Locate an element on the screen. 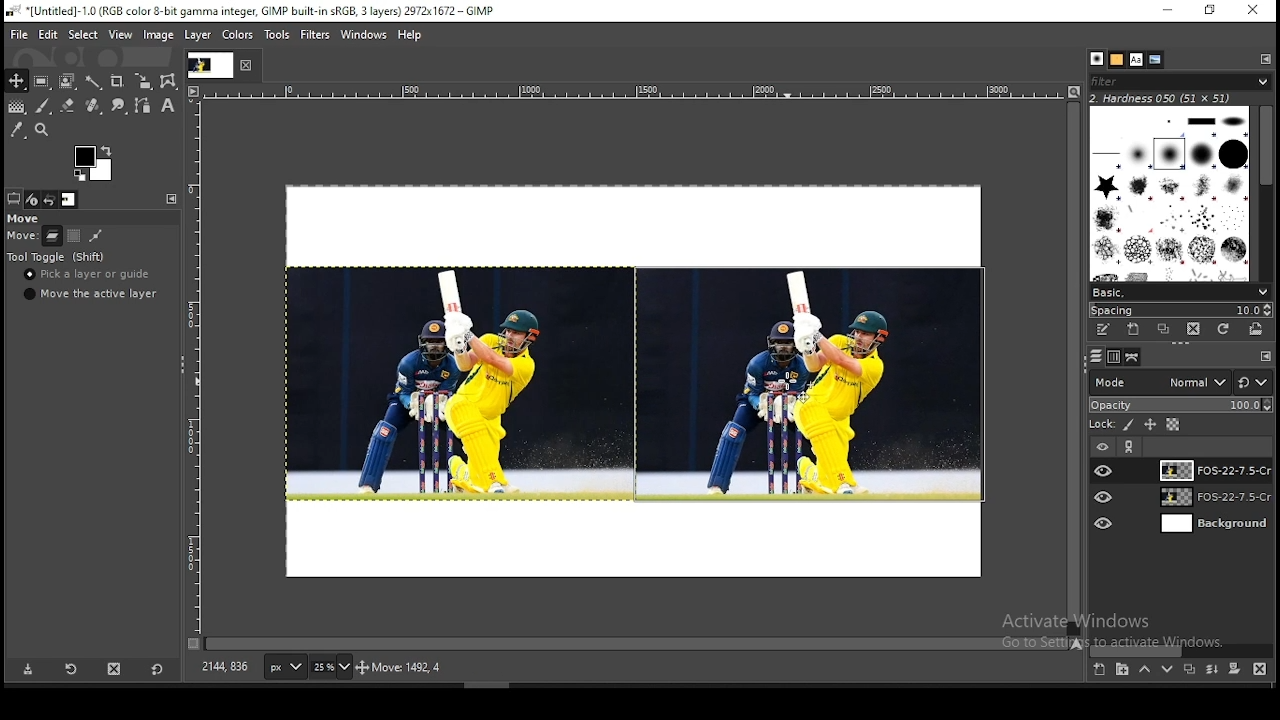  delete layer is located at coordinates (1260, 669).